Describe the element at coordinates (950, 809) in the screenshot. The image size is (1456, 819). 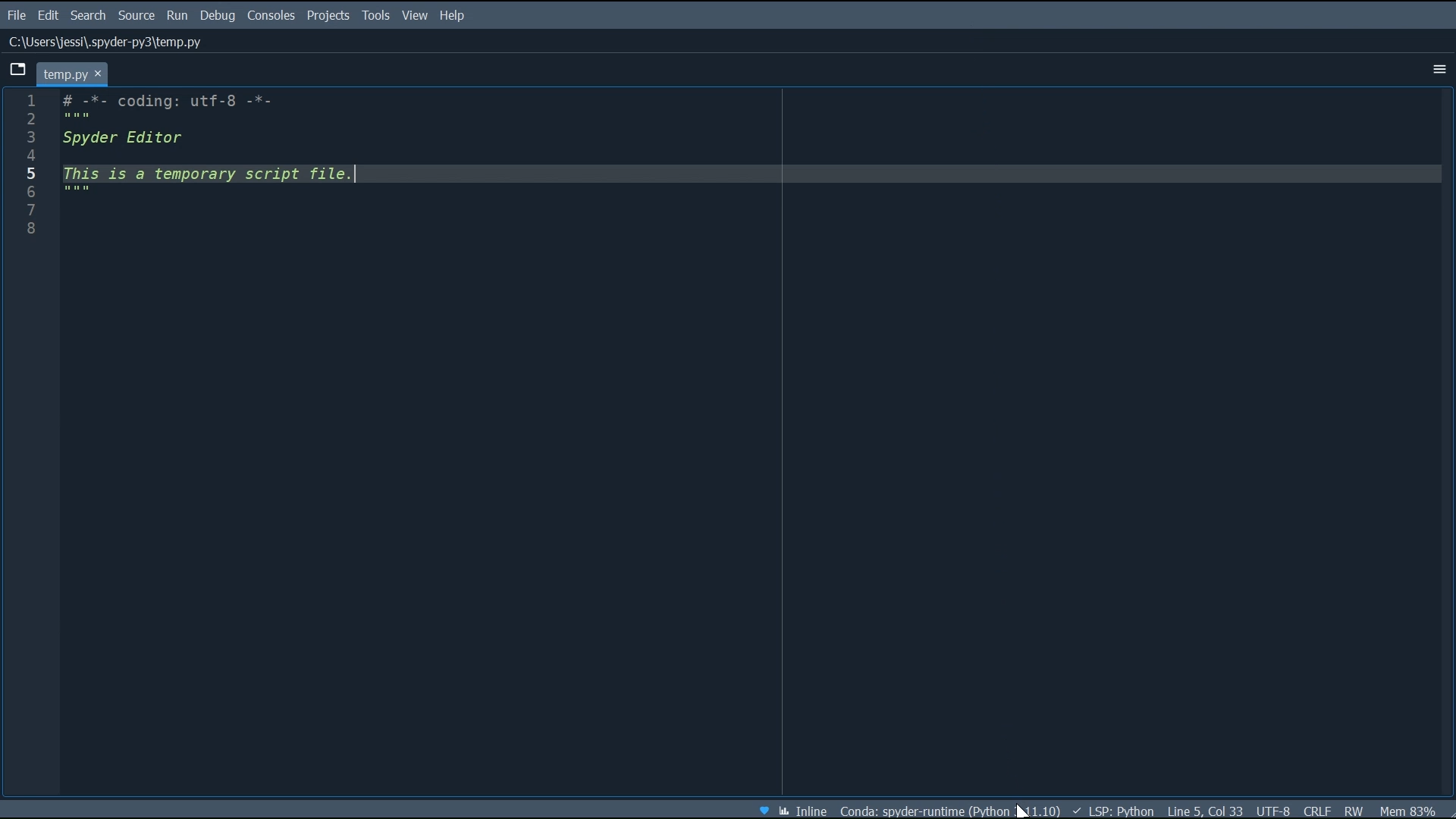
I see `File Directory` at that location.